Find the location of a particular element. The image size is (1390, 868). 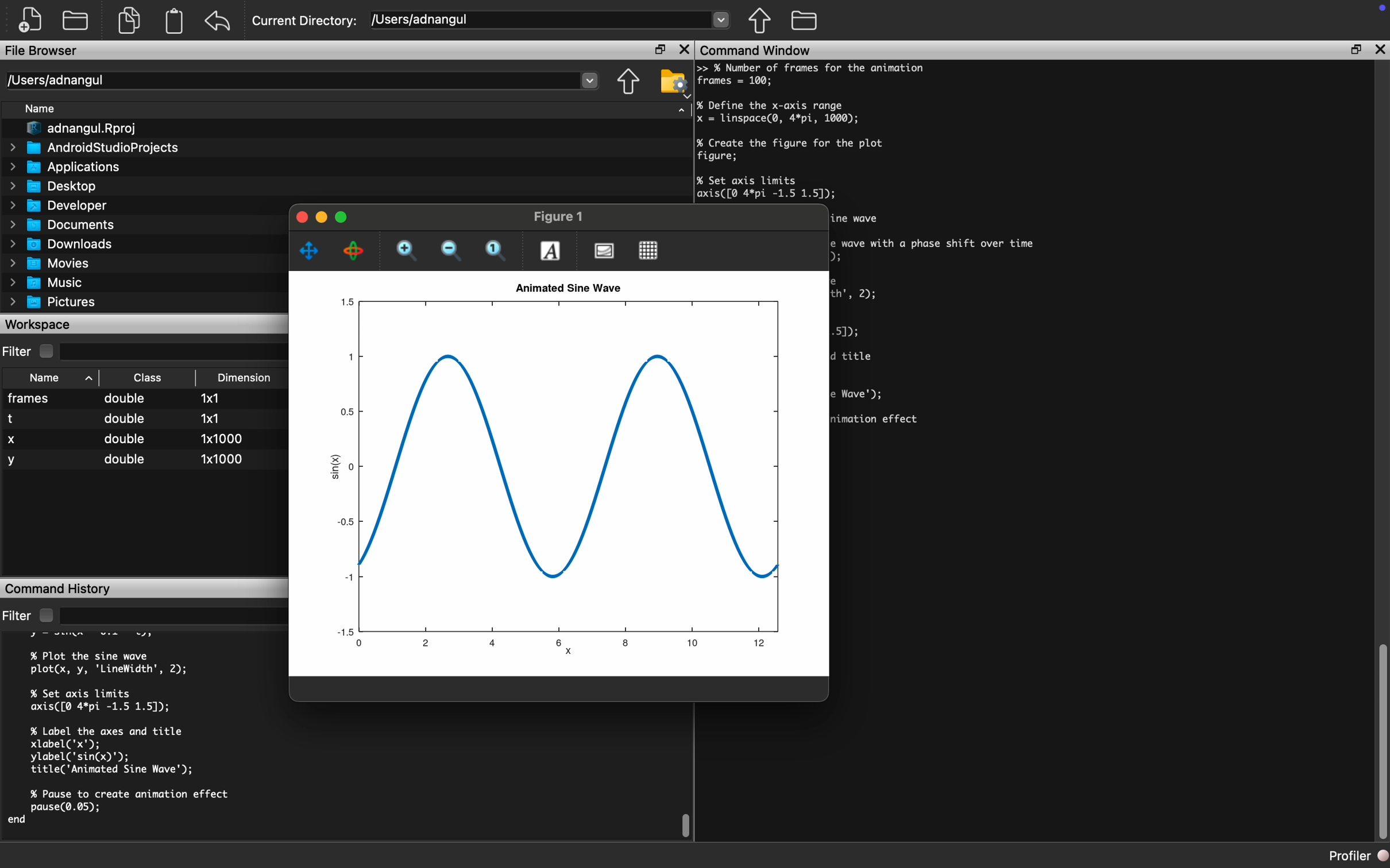

AndroidStudioProjects is located at coordinates (94, 148).